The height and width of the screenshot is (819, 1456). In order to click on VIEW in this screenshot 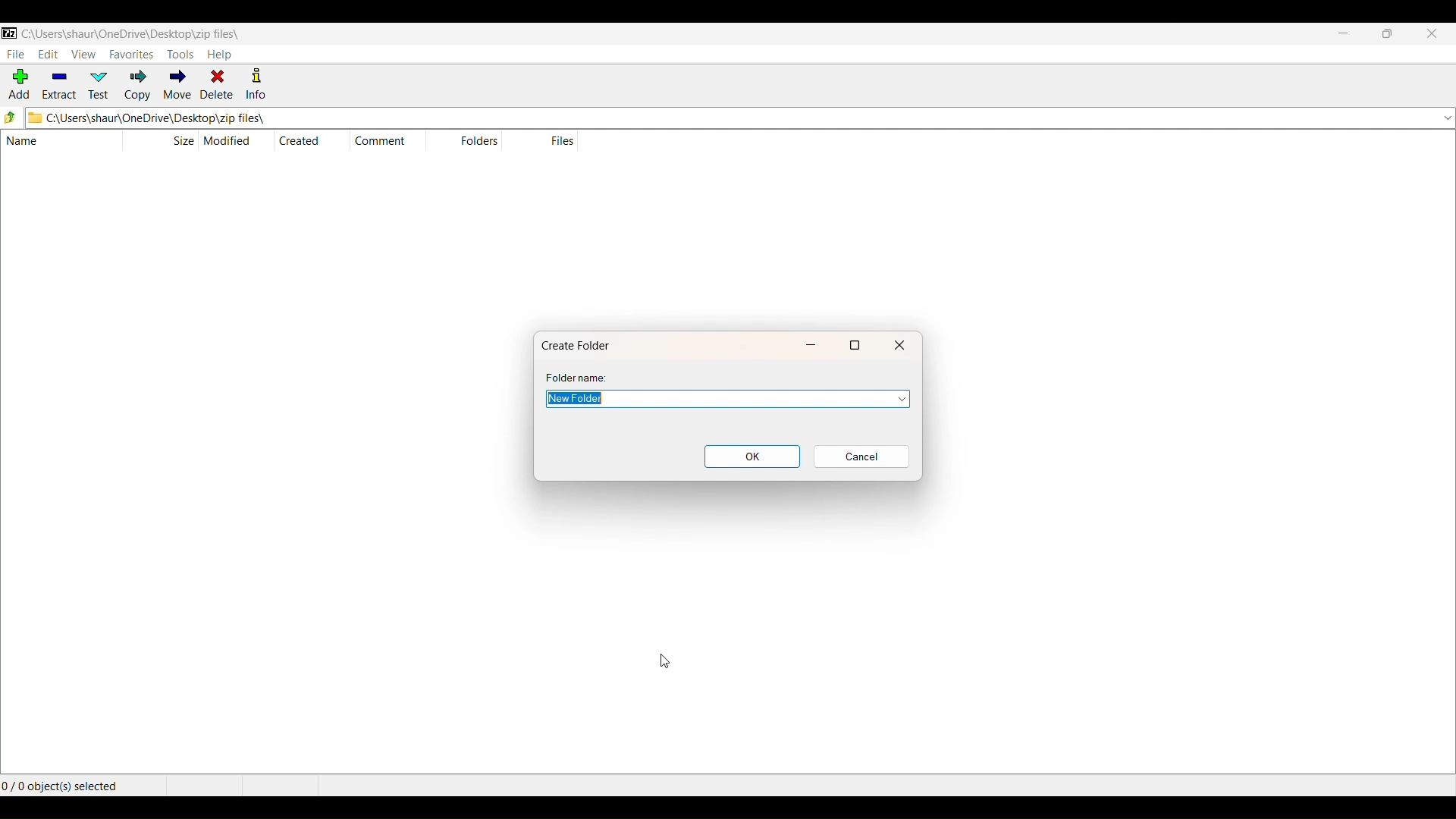, I will do `click(83, 53)`.